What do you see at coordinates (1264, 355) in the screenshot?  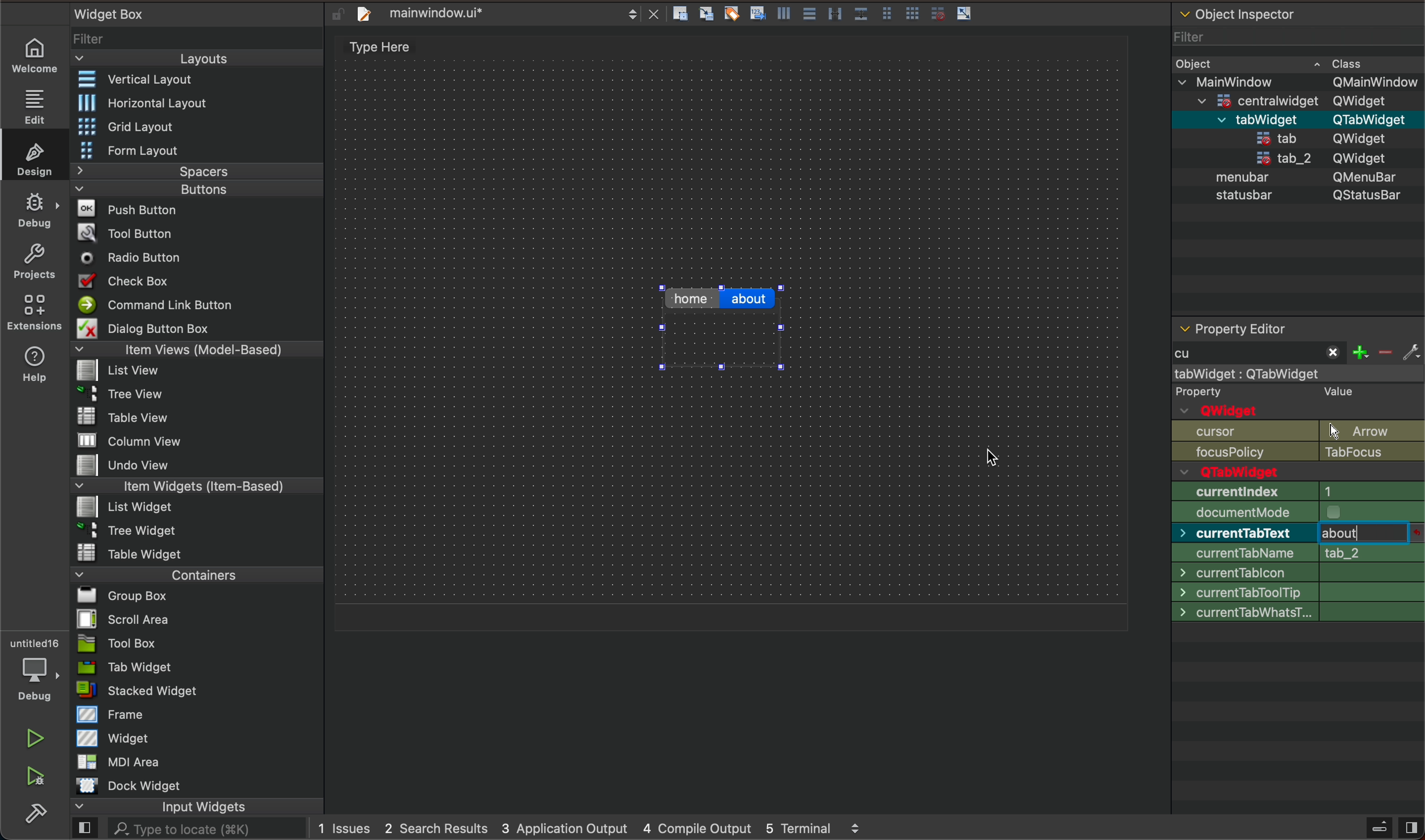 I see `start typing` at bounding box center [1264, 355].